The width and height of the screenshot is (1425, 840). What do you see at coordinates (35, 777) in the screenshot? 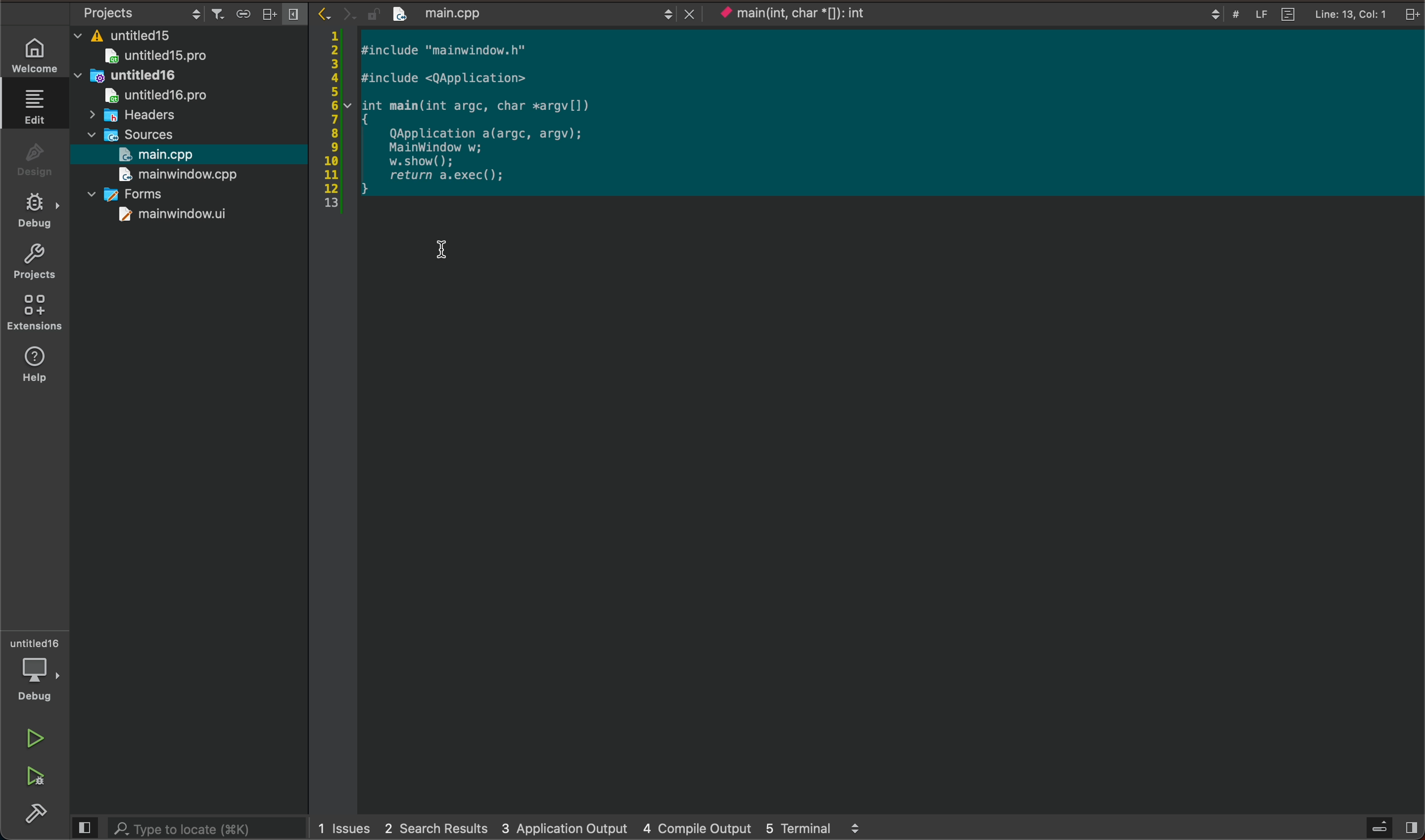
I see `run and build` at bounding box center [35, 777].